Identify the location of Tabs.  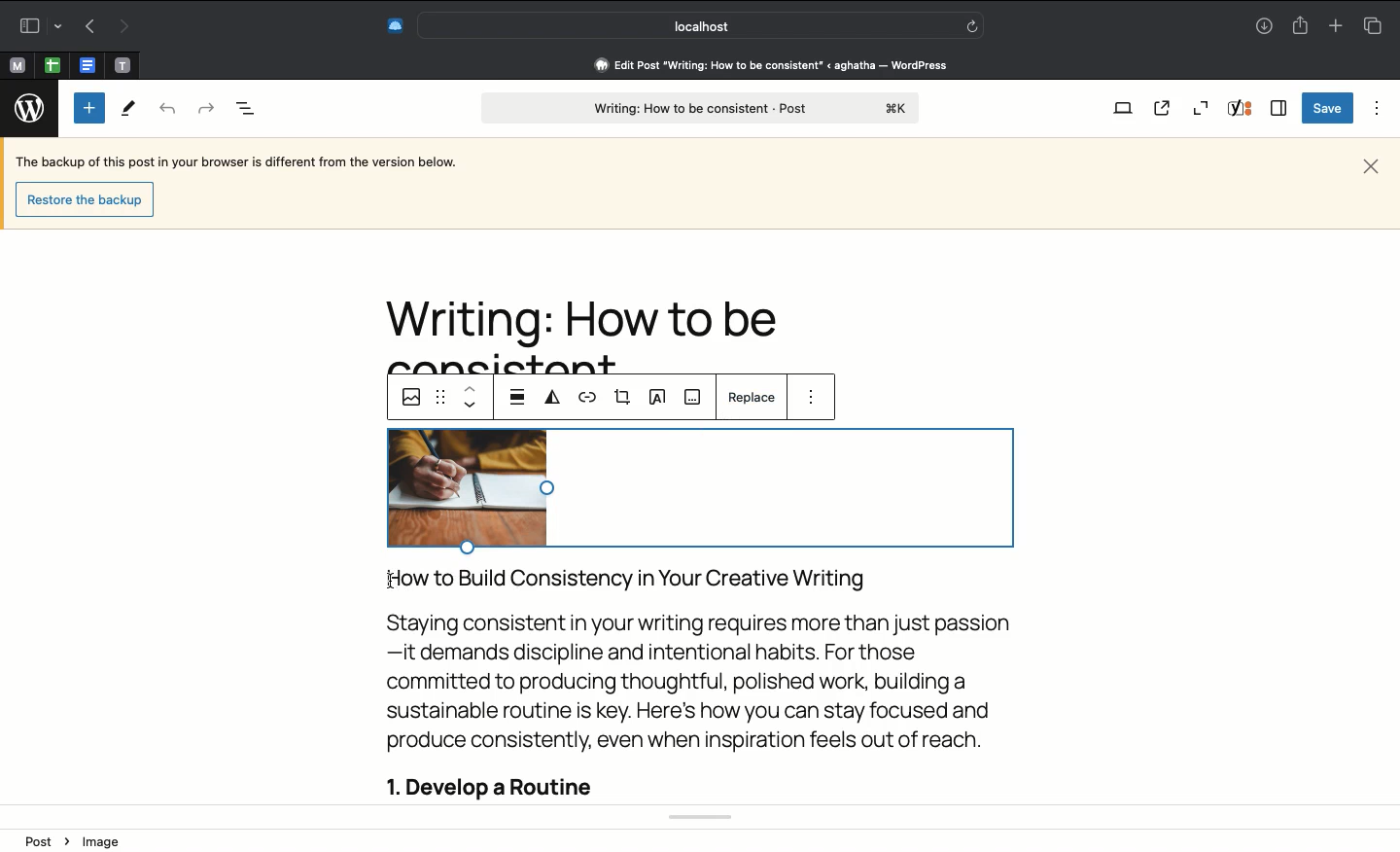
(1374, 25).